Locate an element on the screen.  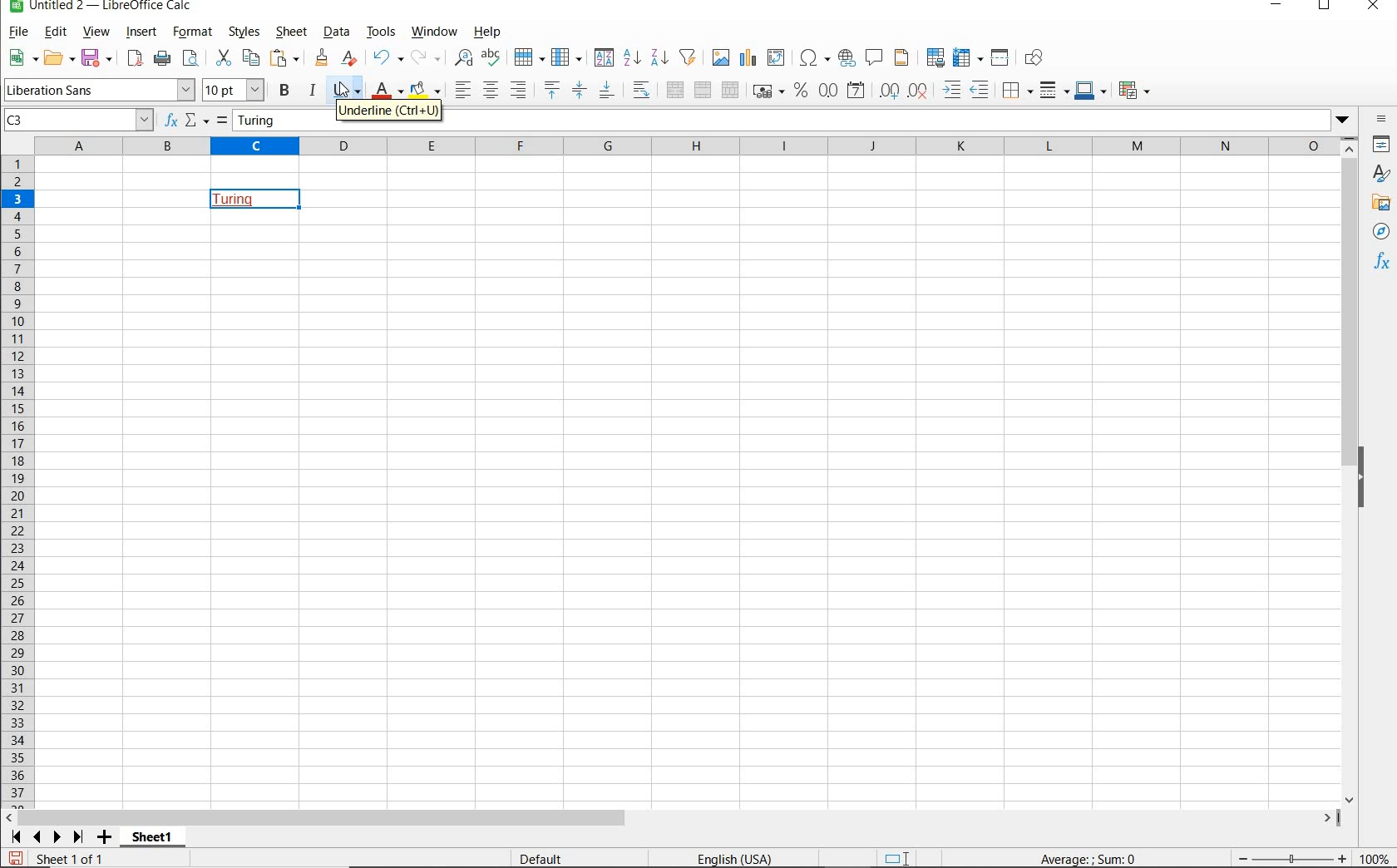
BACKGROUND COLOR is located at coordinates (421, 91).